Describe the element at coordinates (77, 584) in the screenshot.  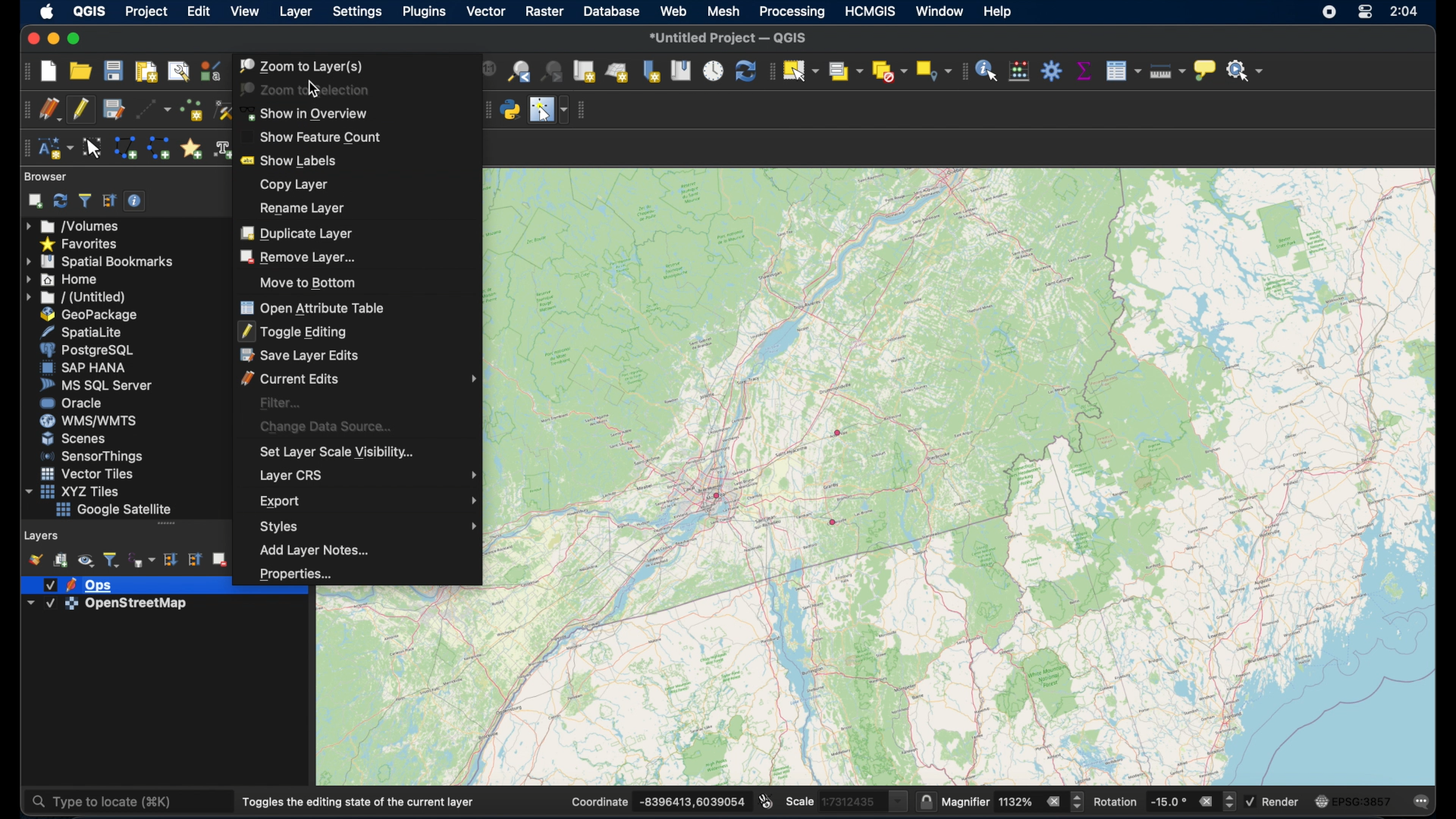
I see `layer ` at that location.